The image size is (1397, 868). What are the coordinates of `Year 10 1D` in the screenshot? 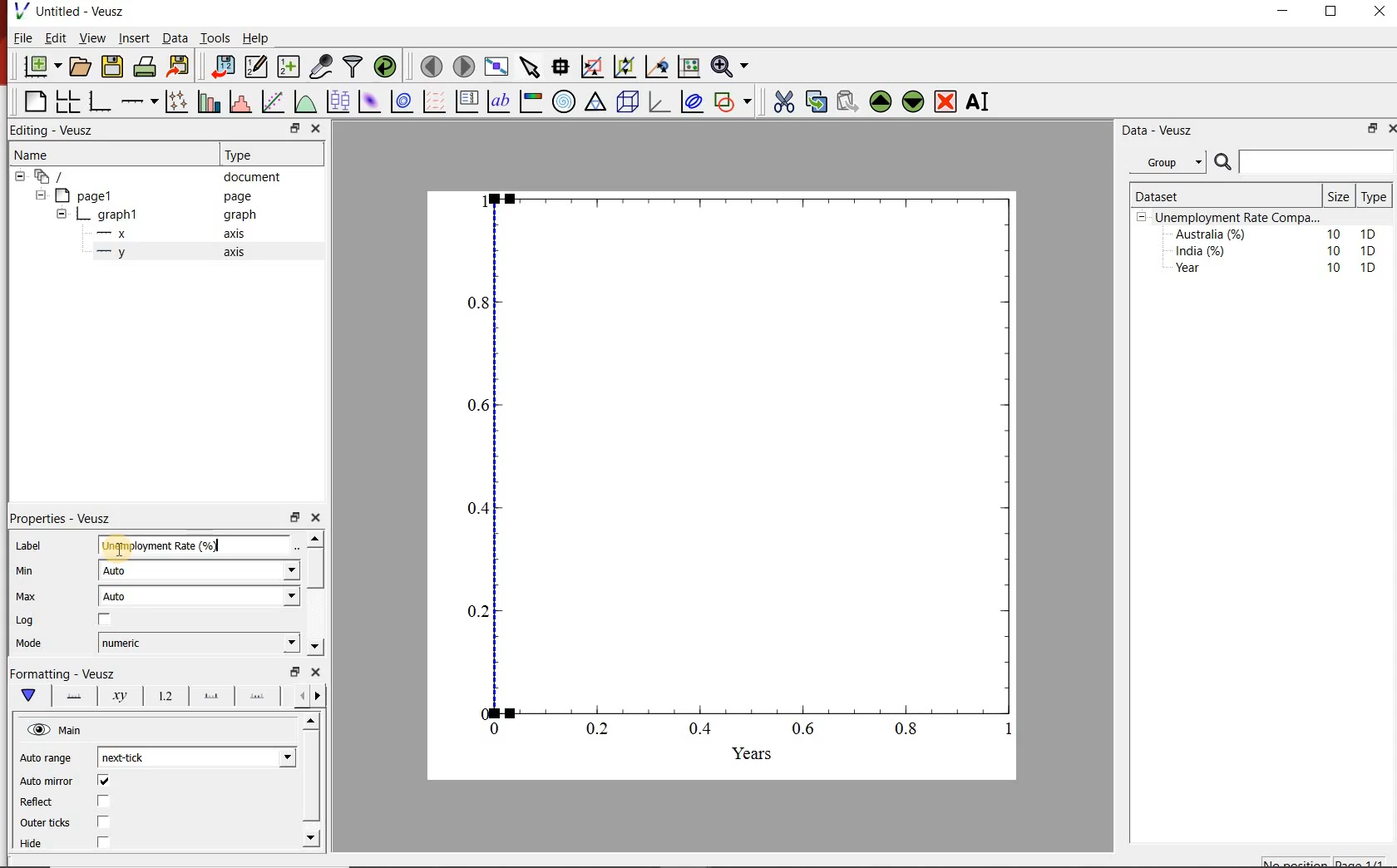 It's located at (1281, 269).